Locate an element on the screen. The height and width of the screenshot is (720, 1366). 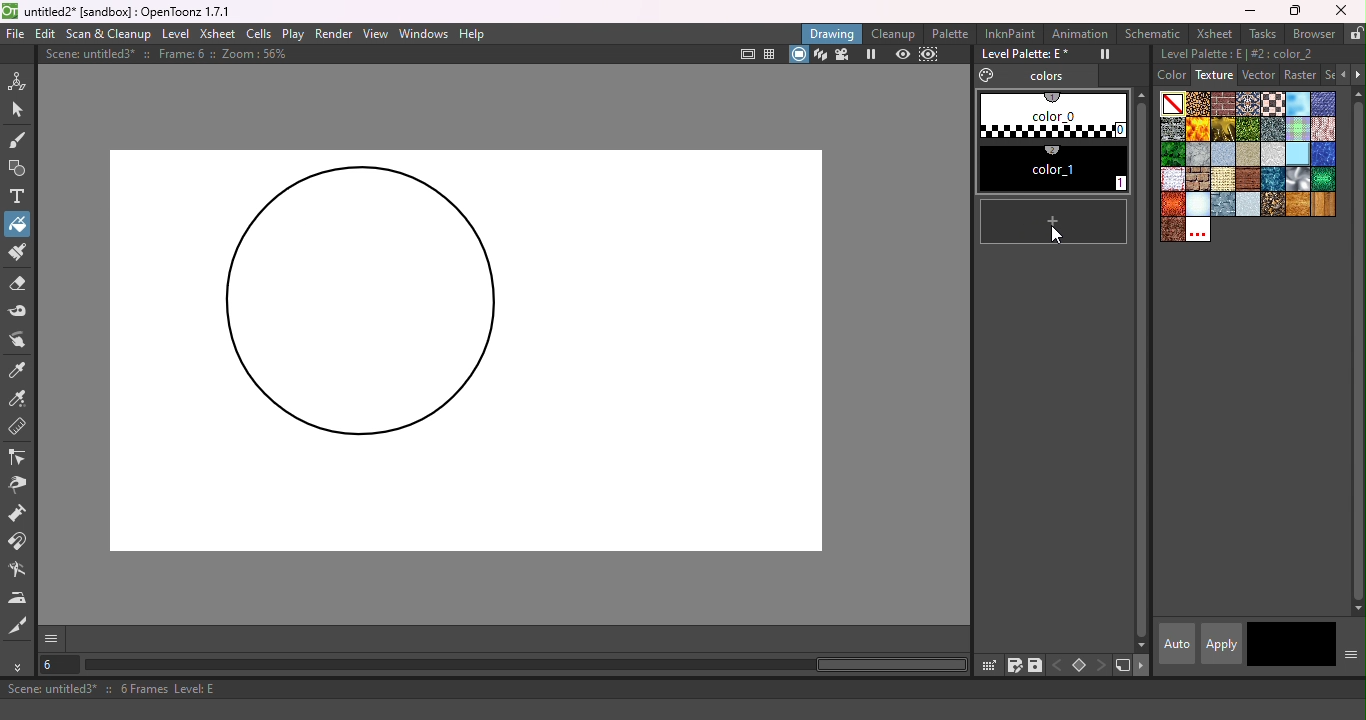
Ironware.bmp is located at coordinates (1273, 129).